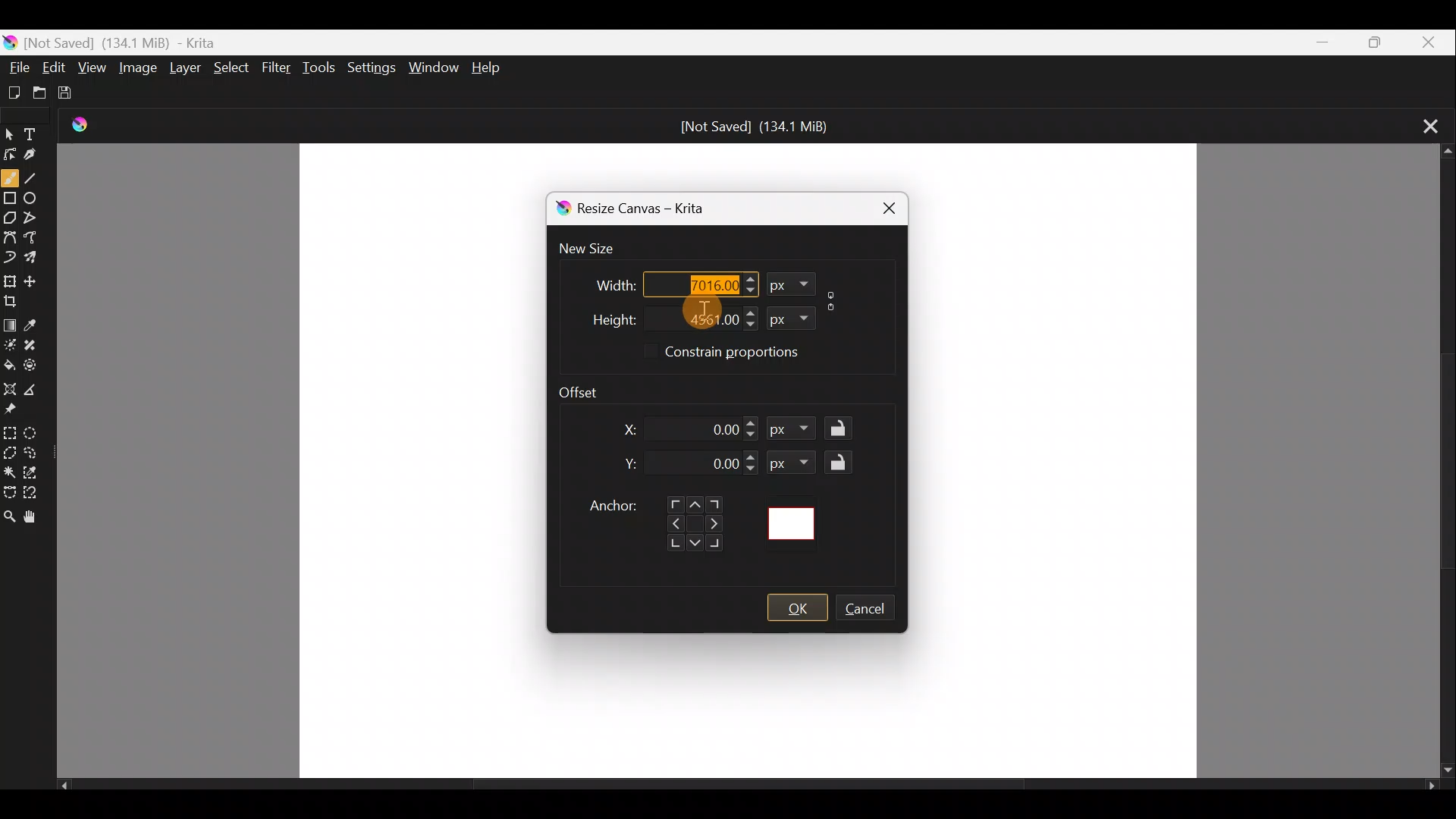 Image resolution: width=1456 pixels, height=819 pixels. I want to click on Window, so click(433, 65).